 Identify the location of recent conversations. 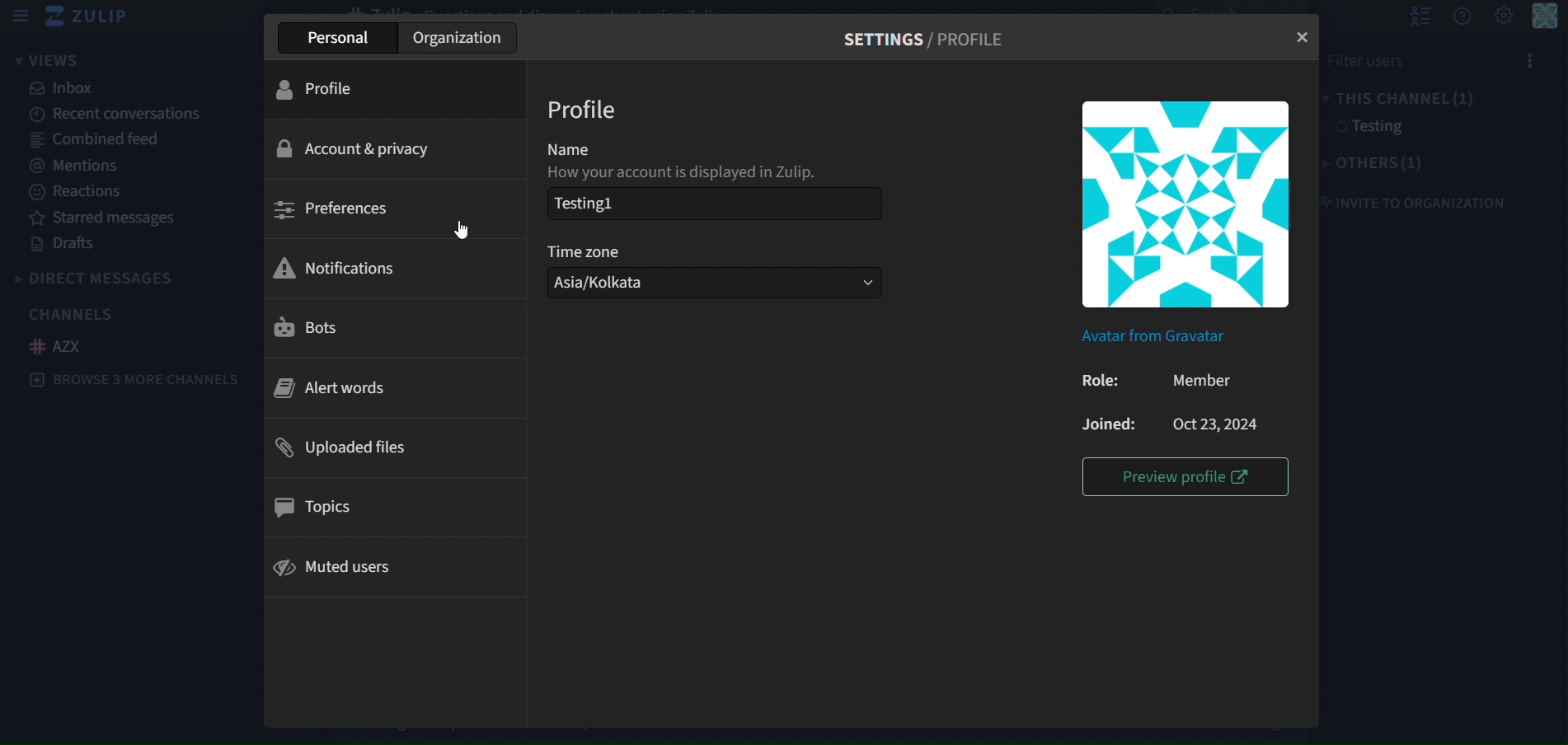
(120, 114).